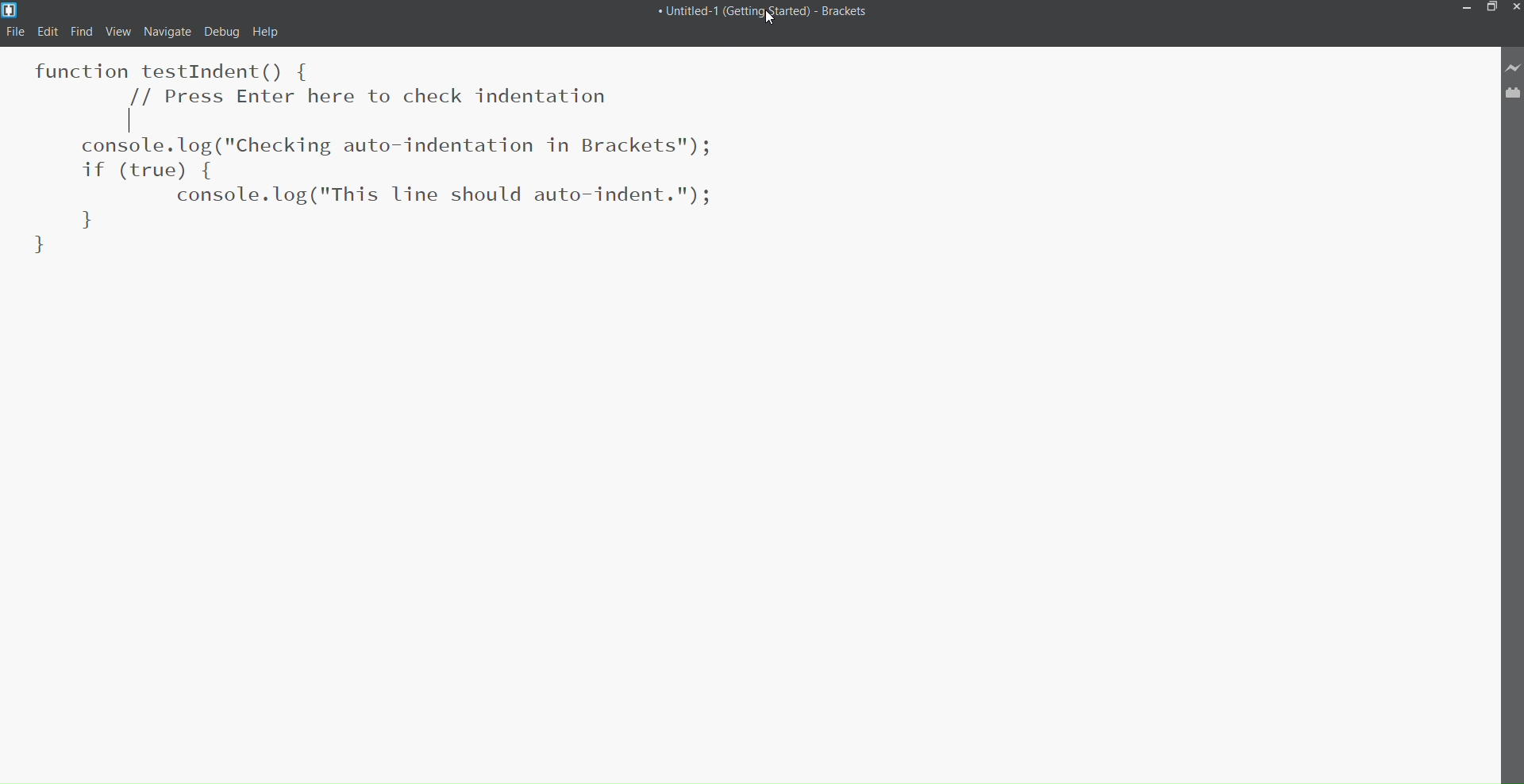  What do you see at coordinates (1491, 6) in the screenshot?
I see `Maximize` at bounding box center [1491, 6].